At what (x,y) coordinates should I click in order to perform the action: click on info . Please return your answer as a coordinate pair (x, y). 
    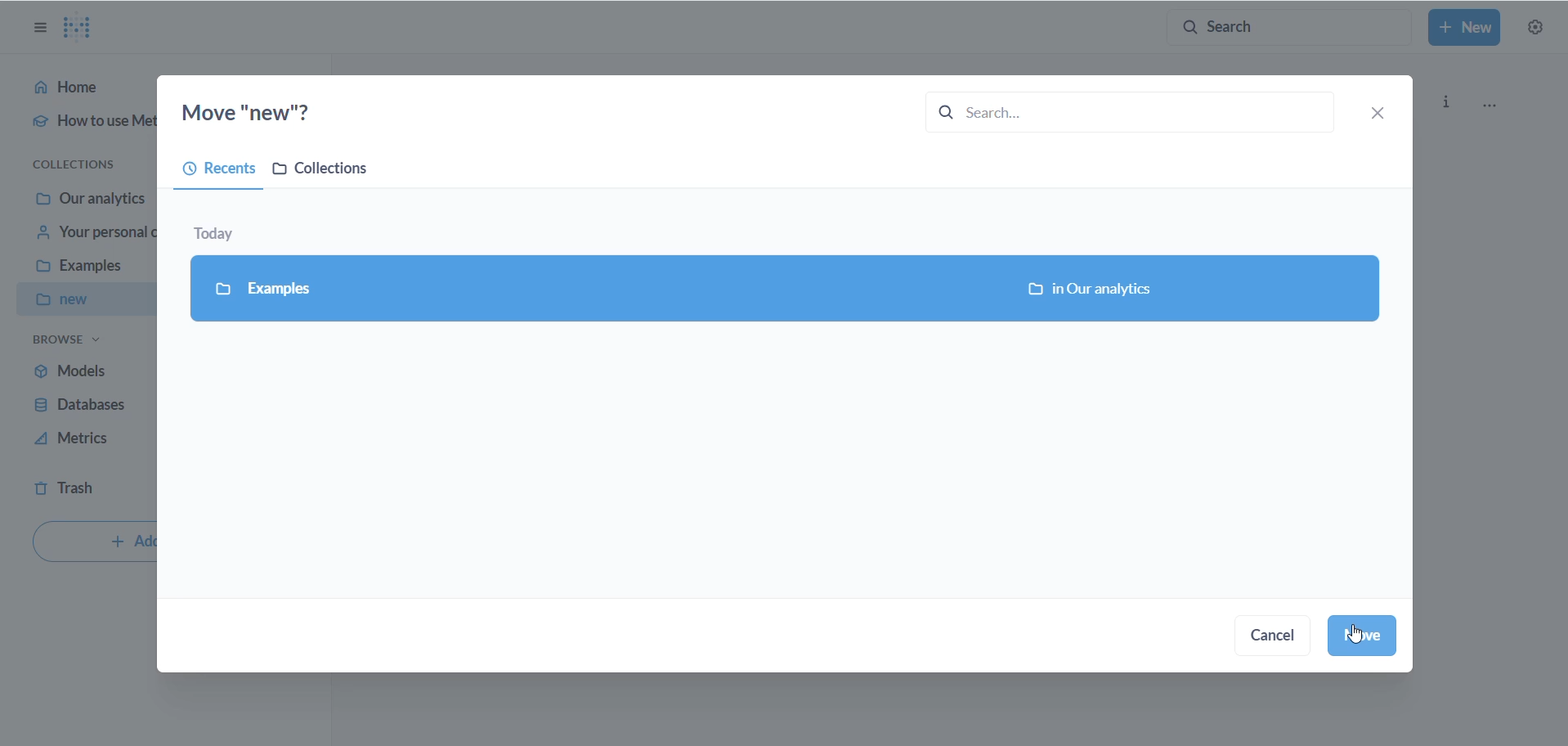
    Looking at the image, I should click on (1449, 100).